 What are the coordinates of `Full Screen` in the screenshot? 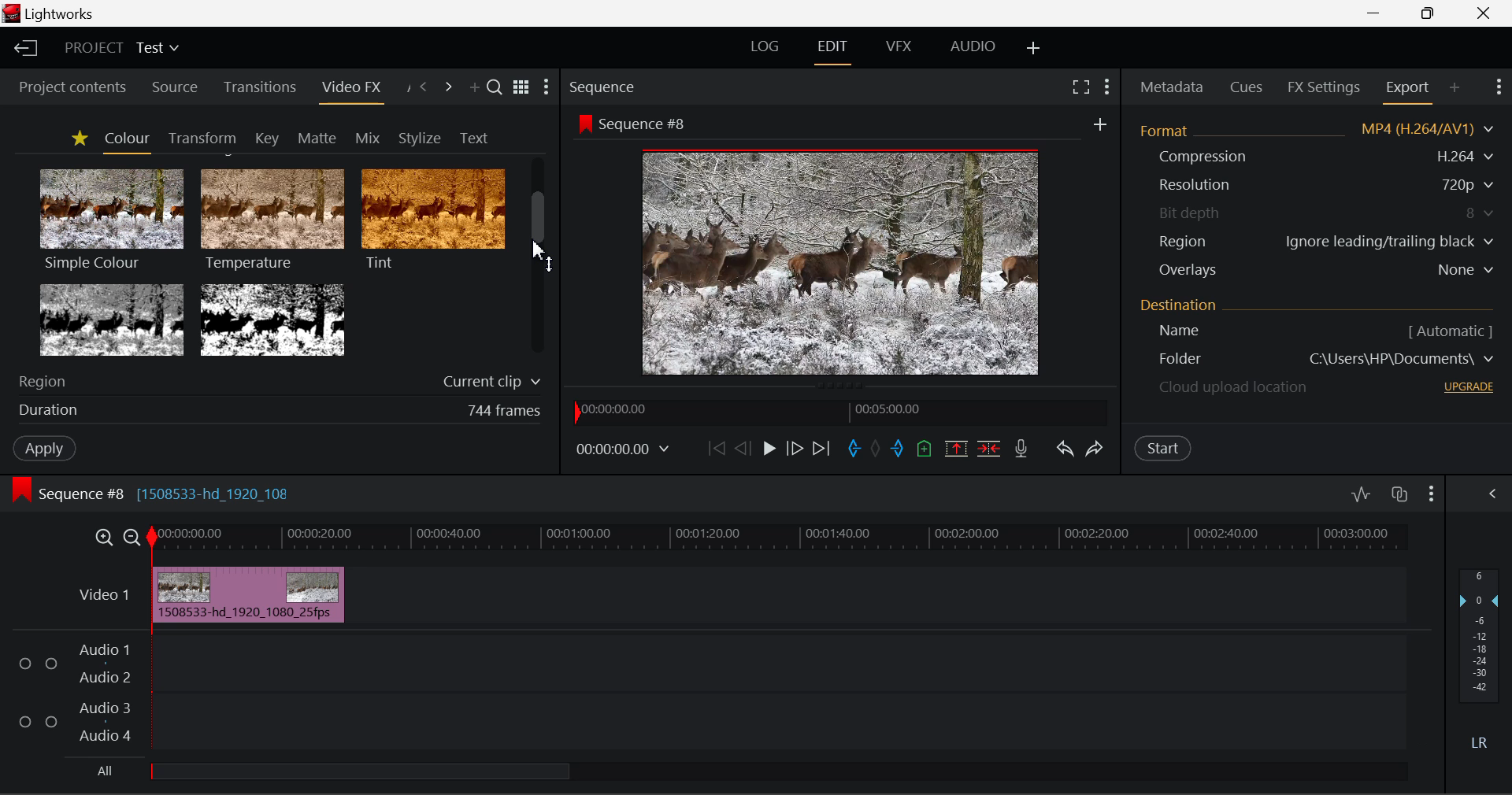 It's located at (1079, 90).